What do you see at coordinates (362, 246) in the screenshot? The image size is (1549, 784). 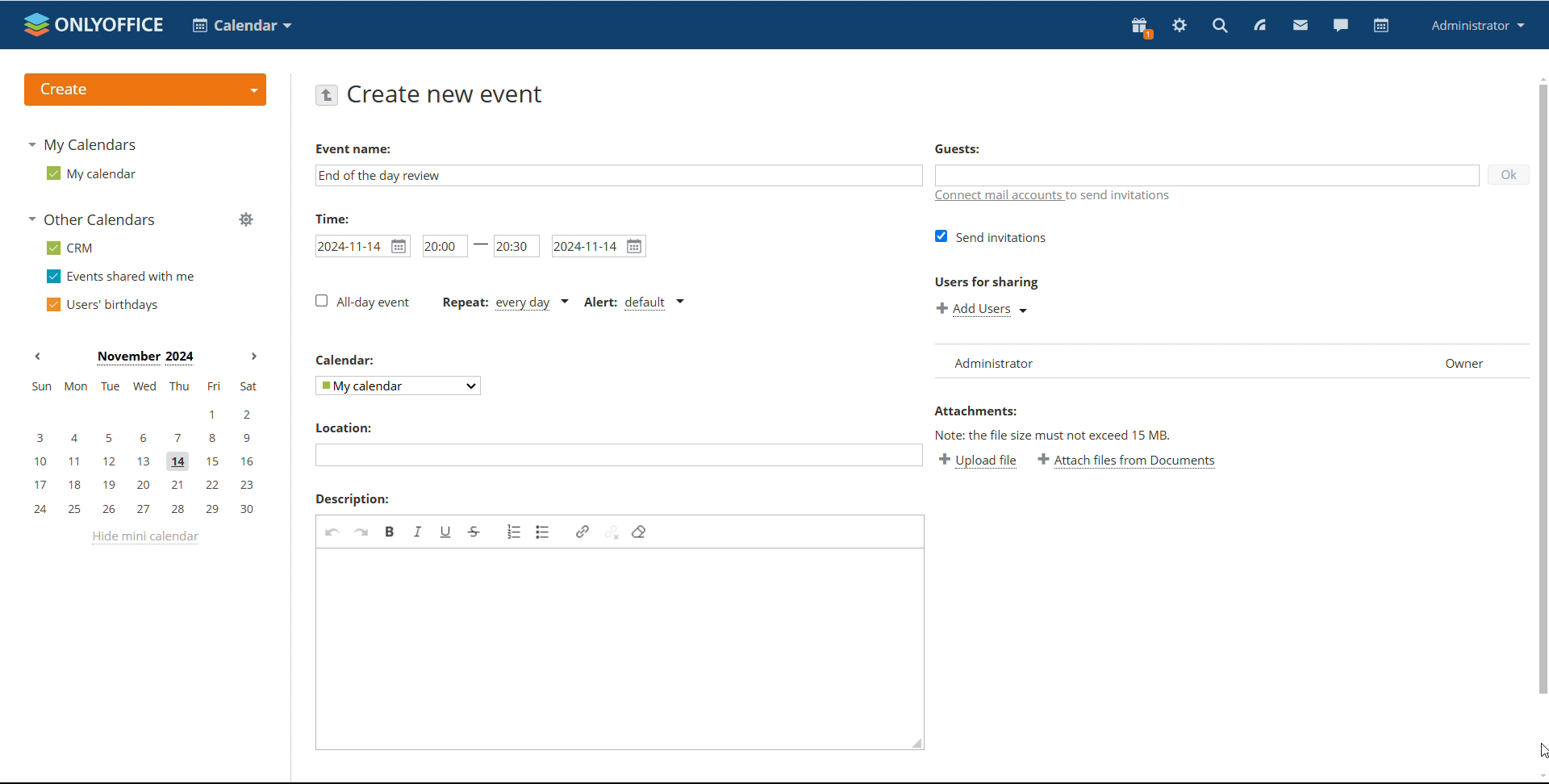 I see `set start date` at bounding box center [362, 246].